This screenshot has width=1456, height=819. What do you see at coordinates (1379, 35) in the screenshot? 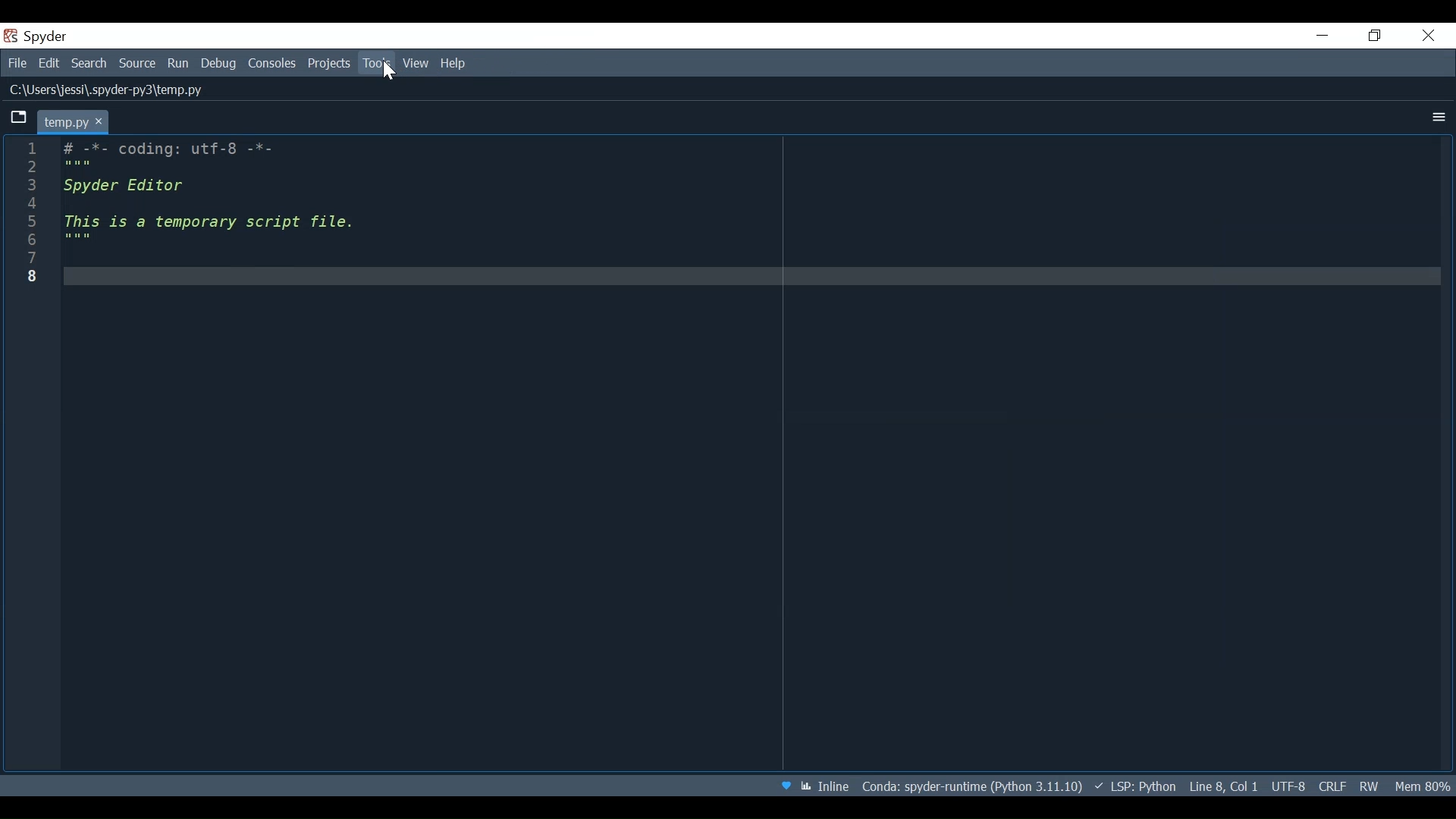
I see `Restore` at bounding box center [1379, 35].